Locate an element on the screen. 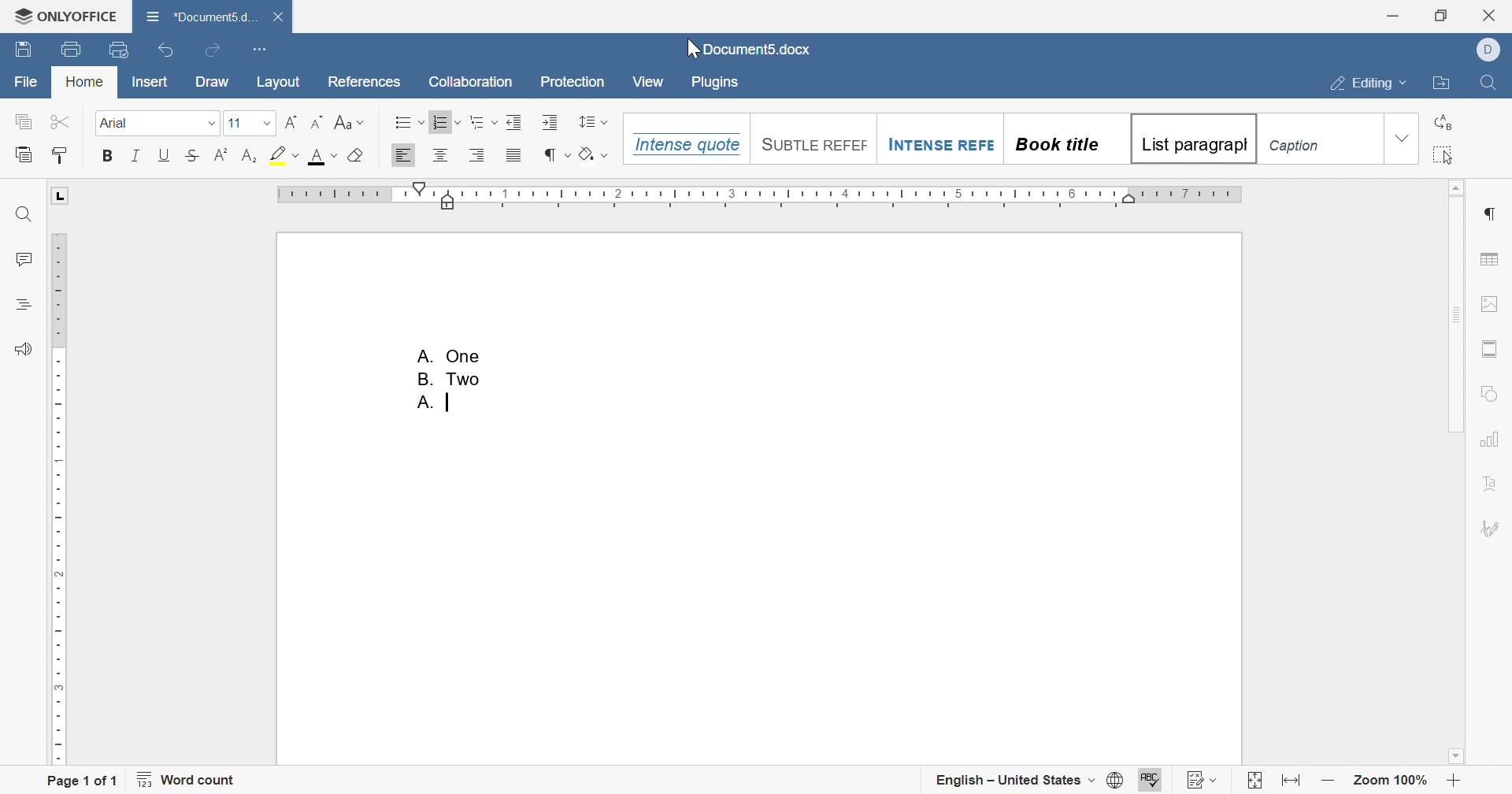  track changes is located at coordinates (1201, 780).